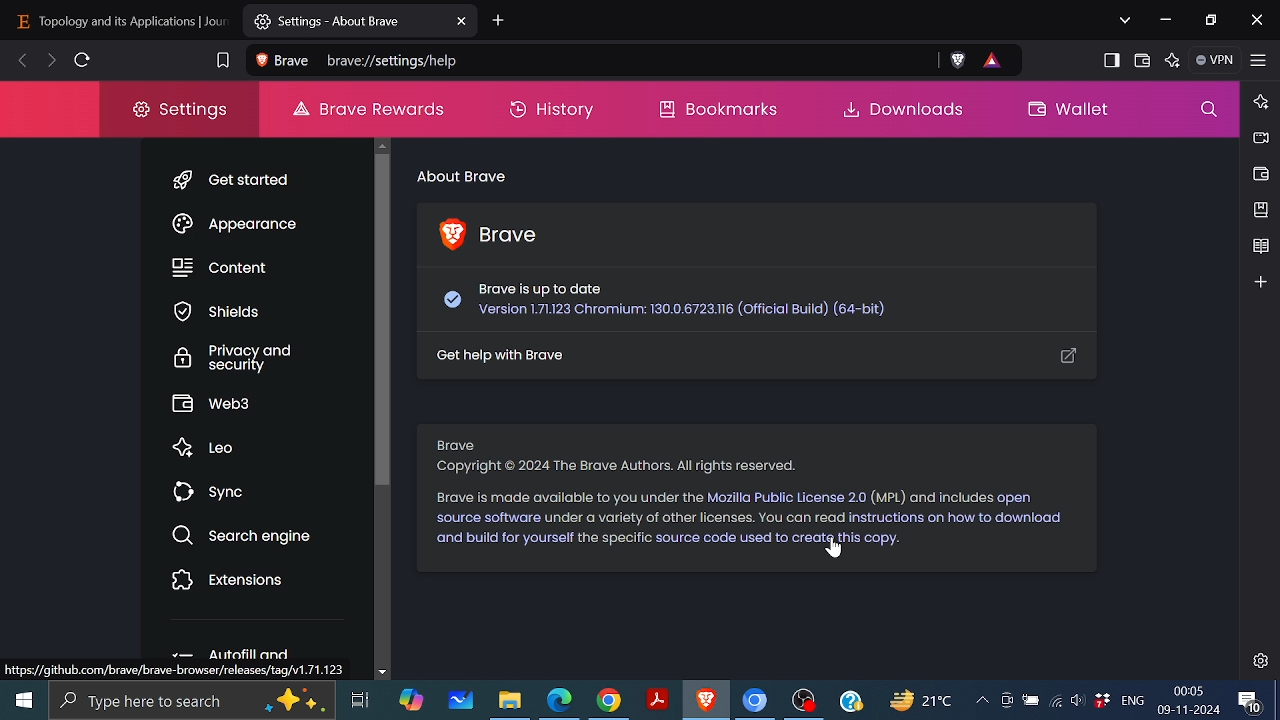 The width and height of the screenshot is (1280, 720). I want to click on Hidden Icons, so click(978, 701).